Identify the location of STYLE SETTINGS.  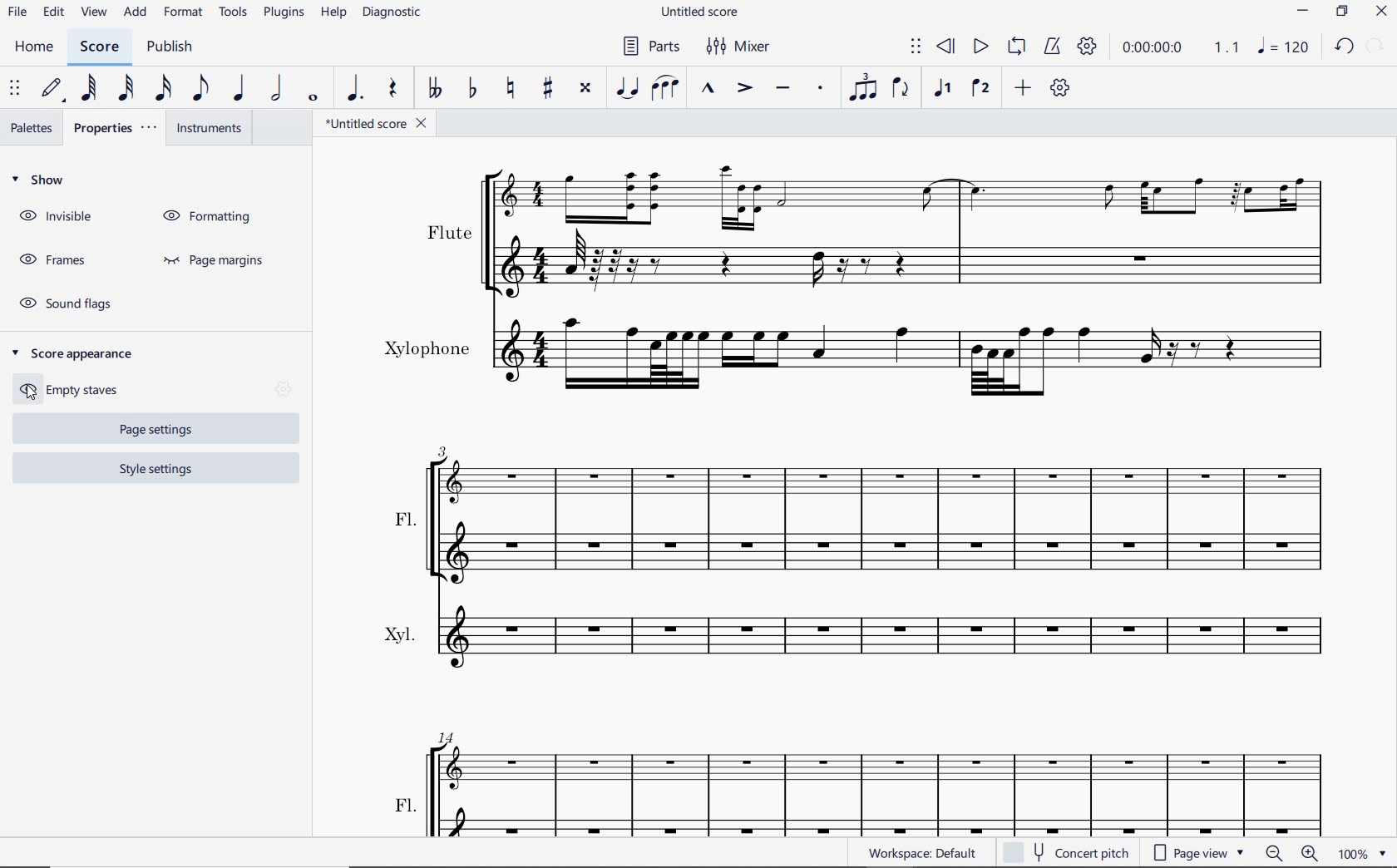
(154, 470).